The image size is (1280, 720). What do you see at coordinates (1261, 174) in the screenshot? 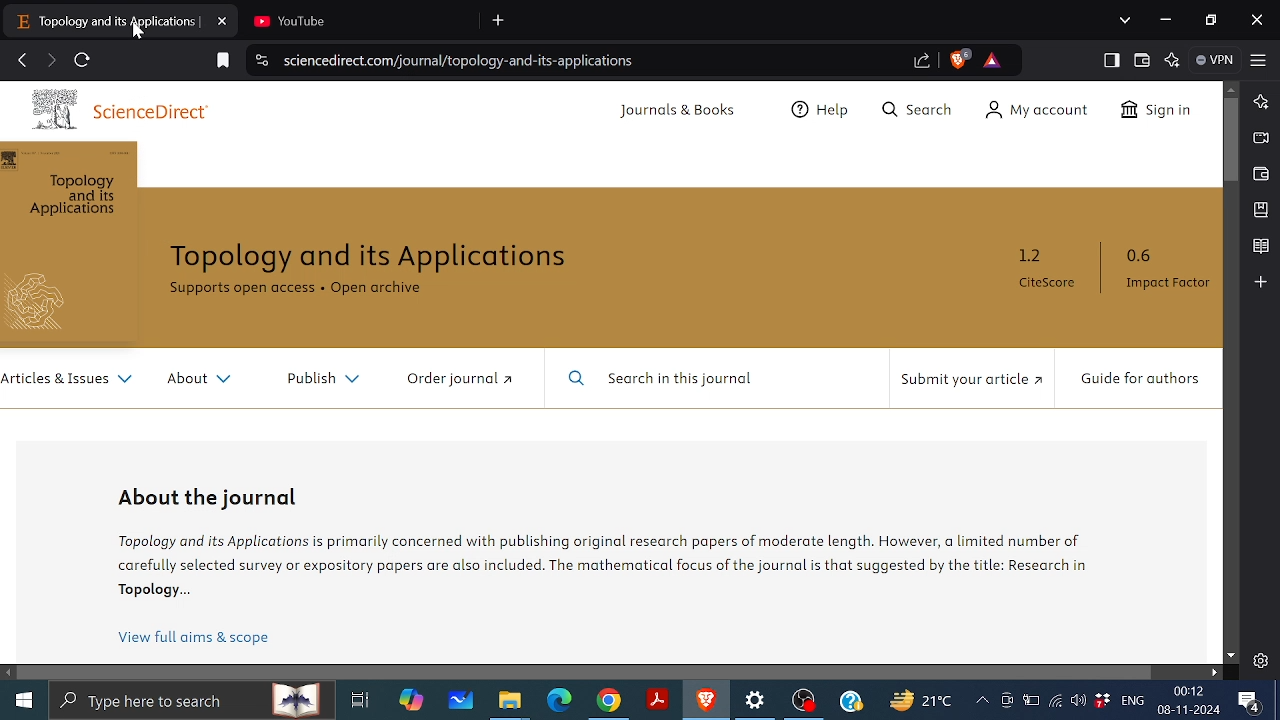
I see `Wallet` at bounding box center [1261, 174].